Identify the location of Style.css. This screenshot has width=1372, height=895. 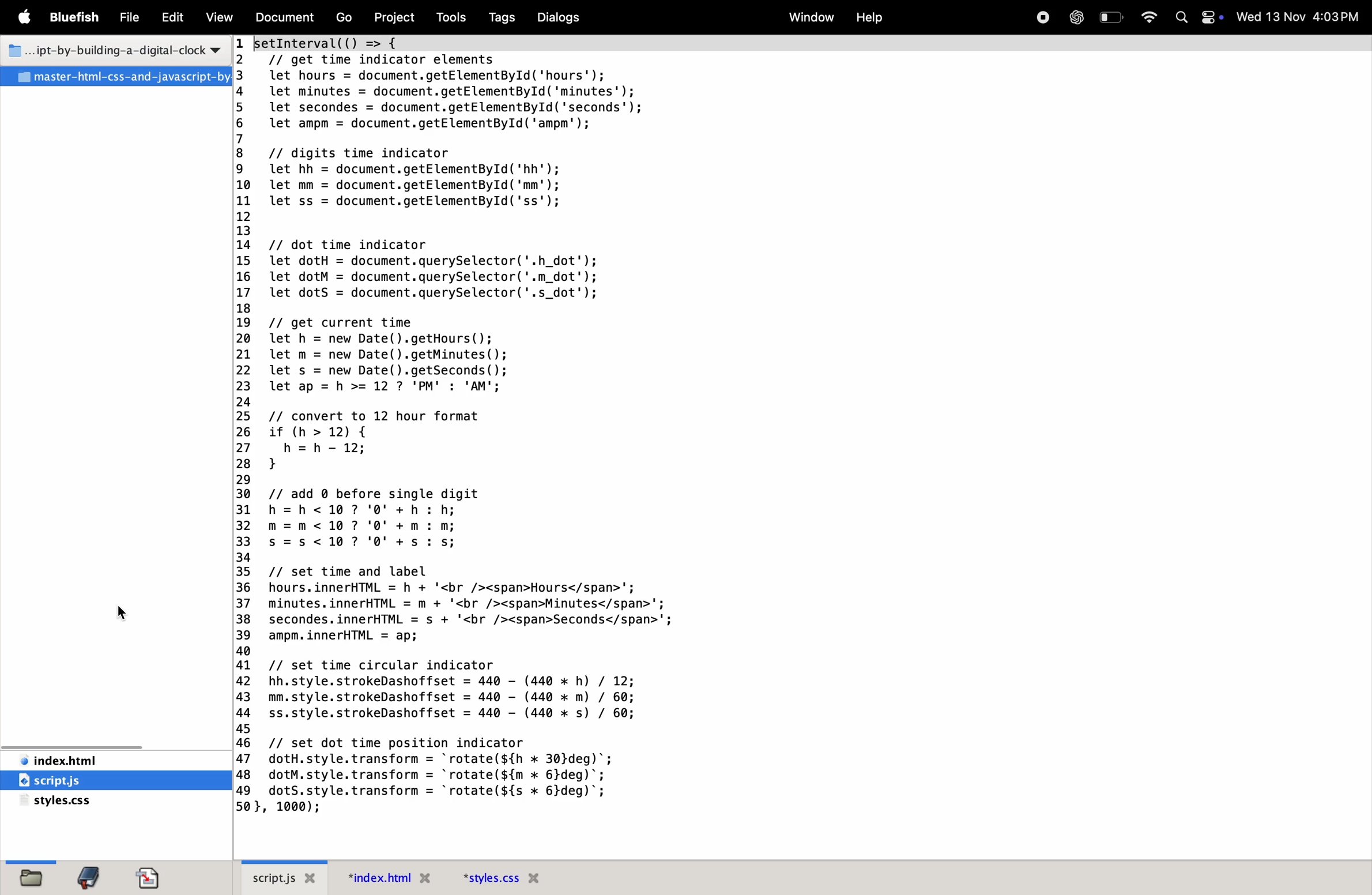
(500, 878).